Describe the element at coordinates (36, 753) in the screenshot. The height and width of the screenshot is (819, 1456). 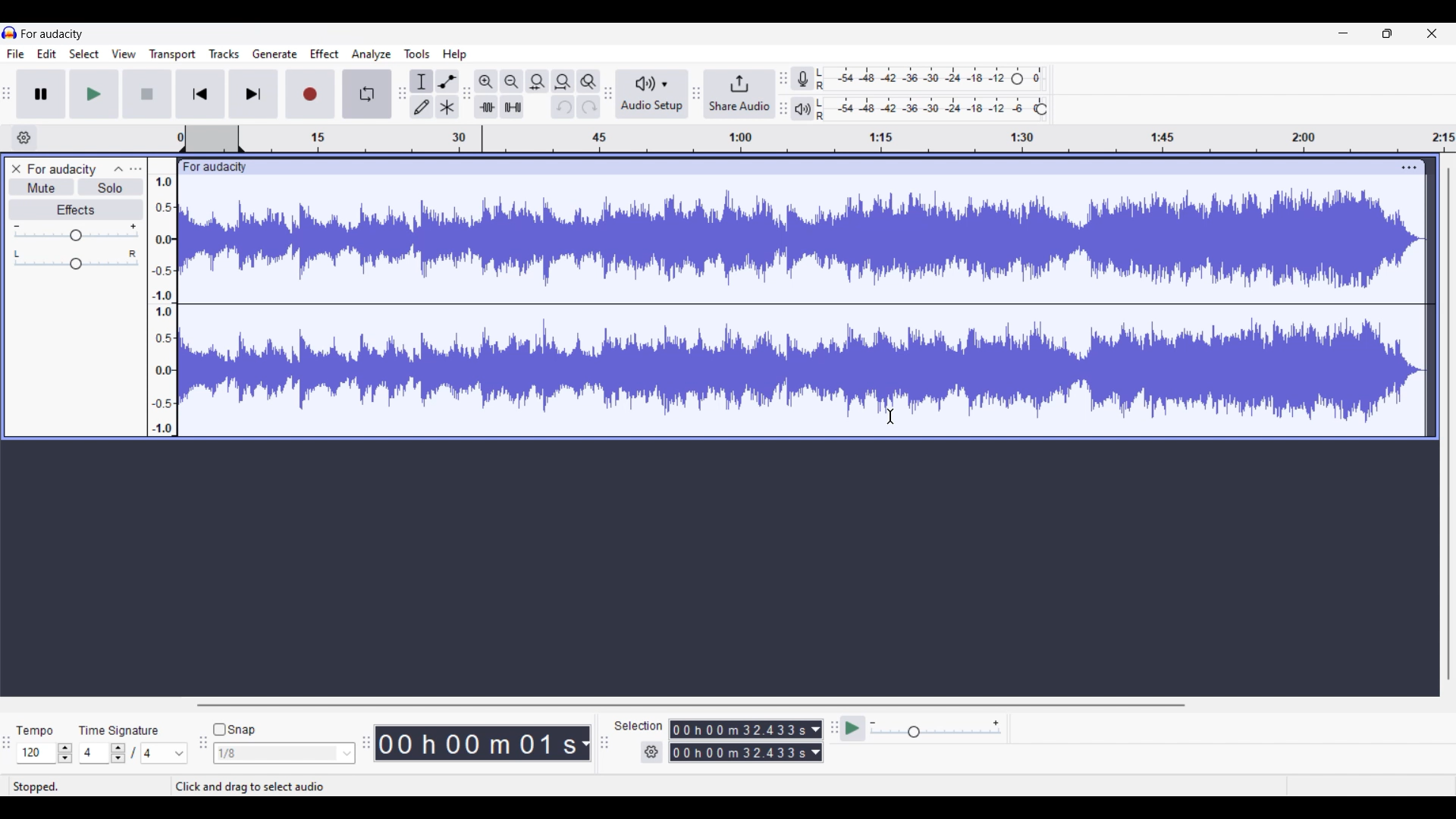
I see `Input tempo` at that location.